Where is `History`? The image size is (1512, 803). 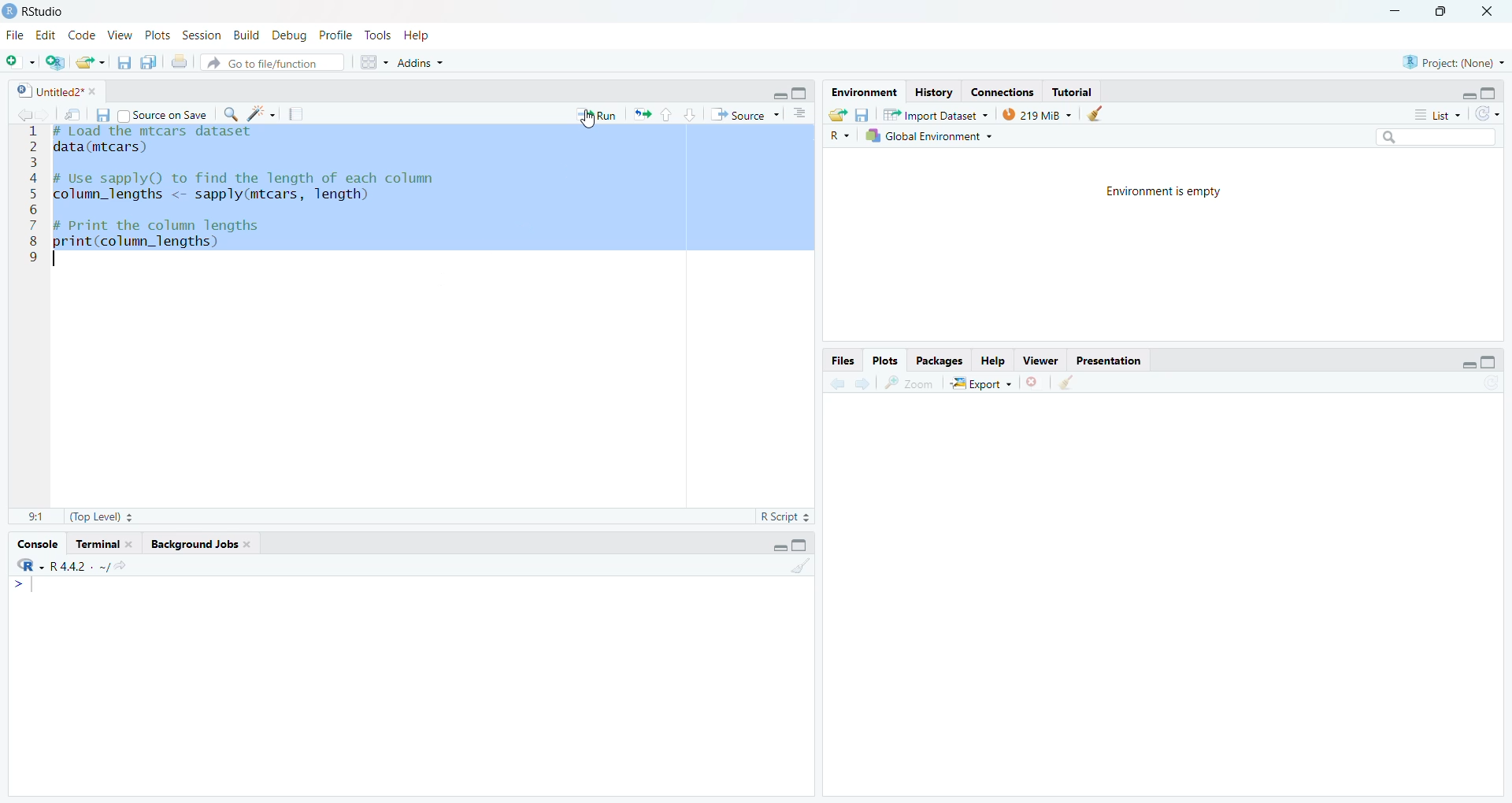 History is located at coordinates (933, 92).